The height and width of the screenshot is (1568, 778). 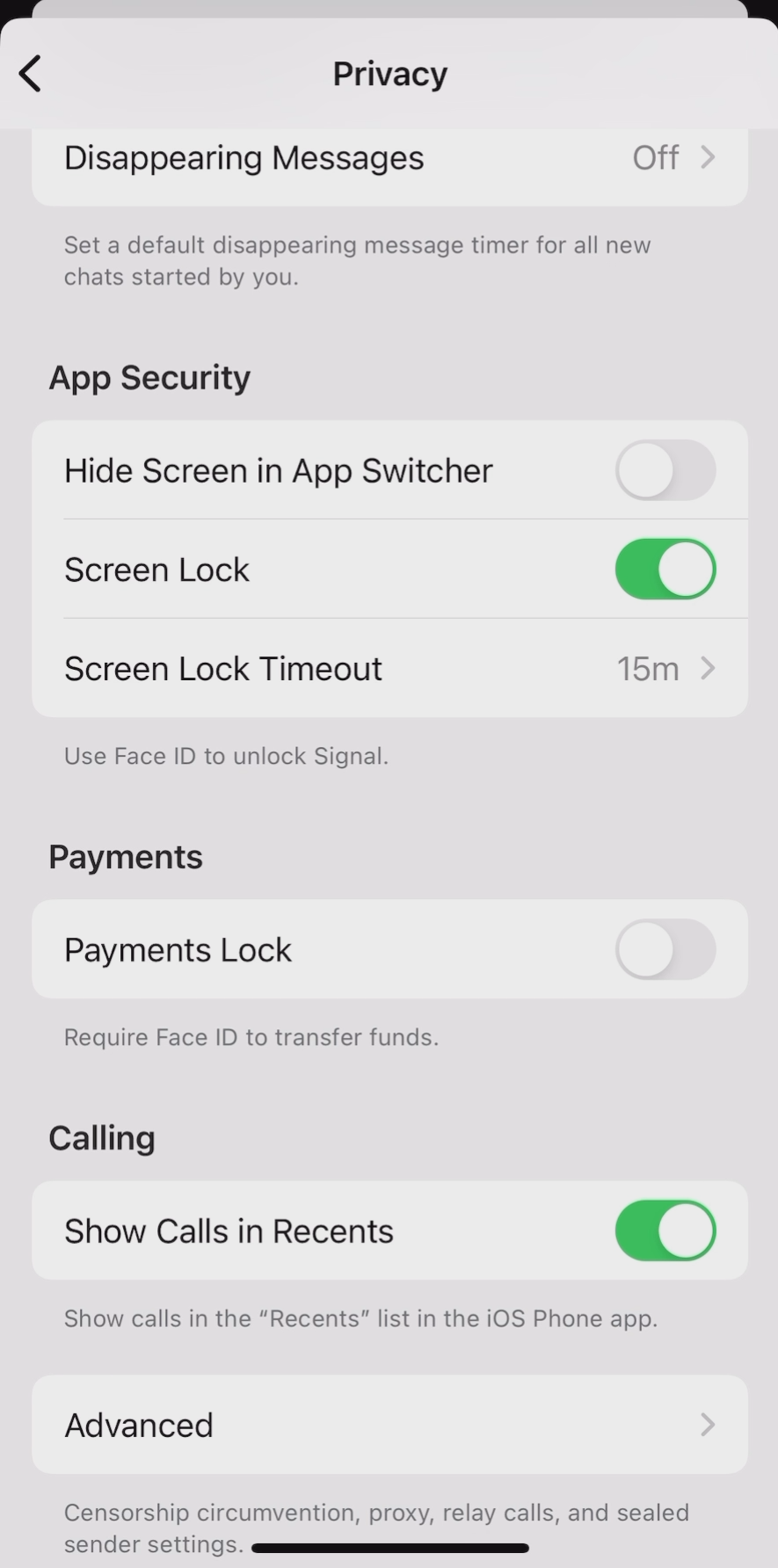 I want to click on information text, so click(x=356, y=1319).